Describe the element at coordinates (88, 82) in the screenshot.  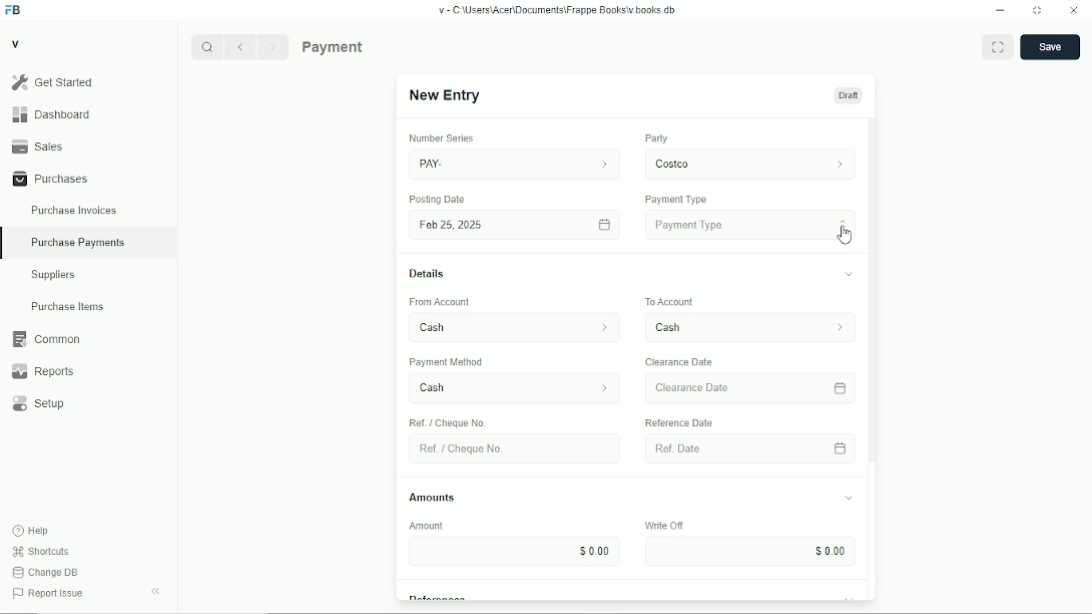
I see `Gel Started` at that location.